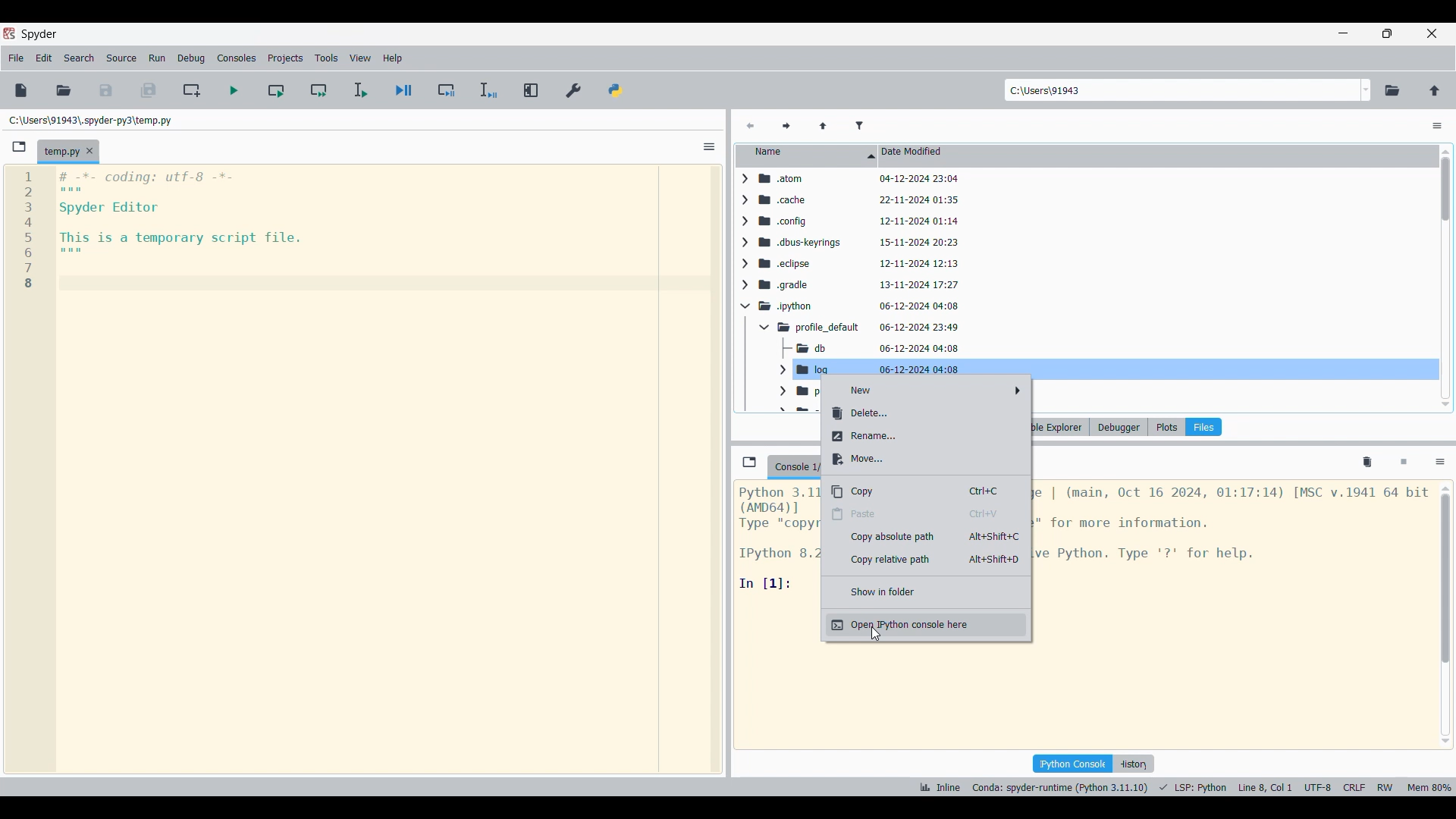  What do you see at coordinates (927, 538) in the screenshot?
I see `Copy absolute path` at bounding box center [927, 538].